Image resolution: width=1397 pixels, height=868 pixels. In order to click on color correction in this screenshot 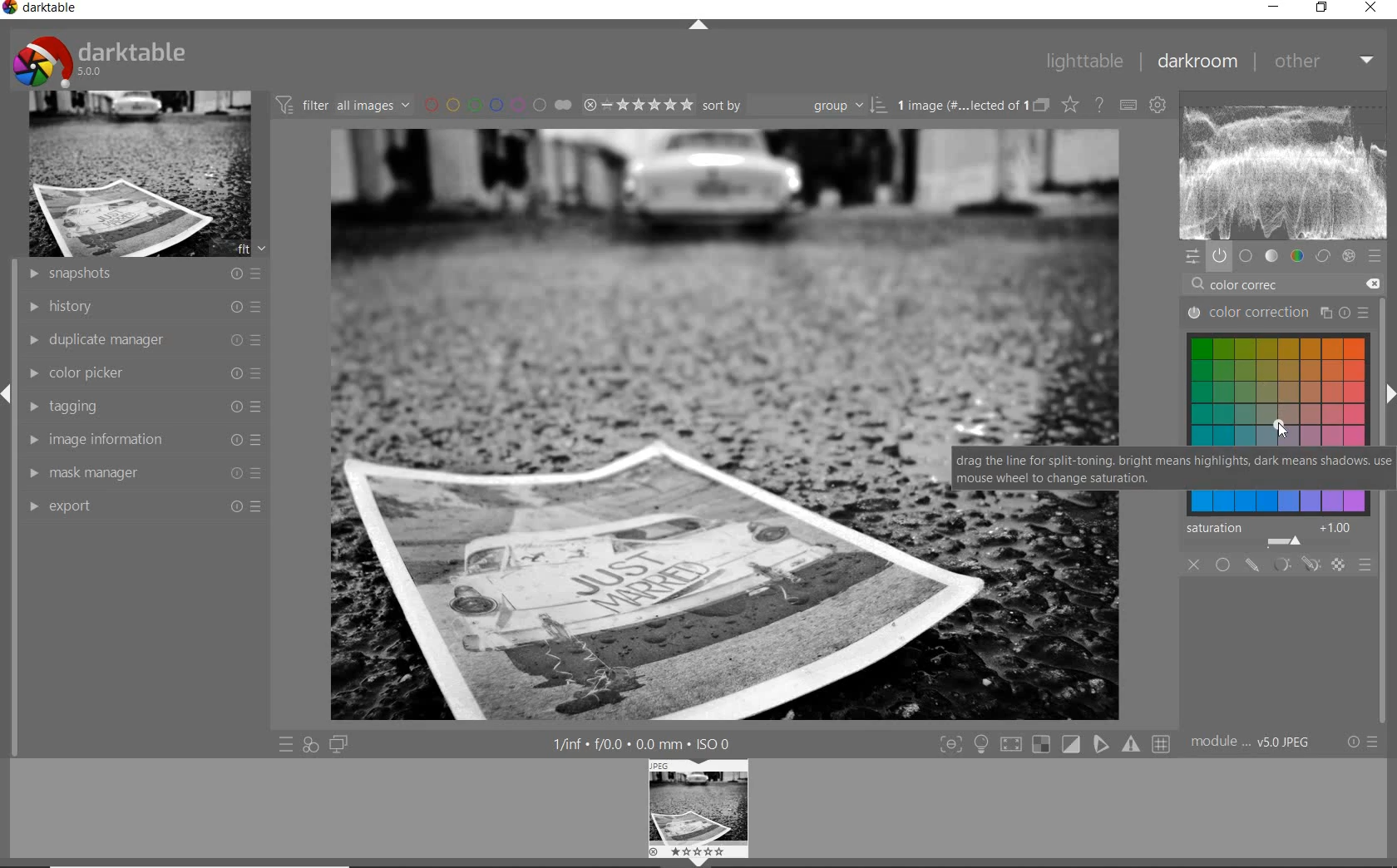, I will do `click(1278, 314)`.